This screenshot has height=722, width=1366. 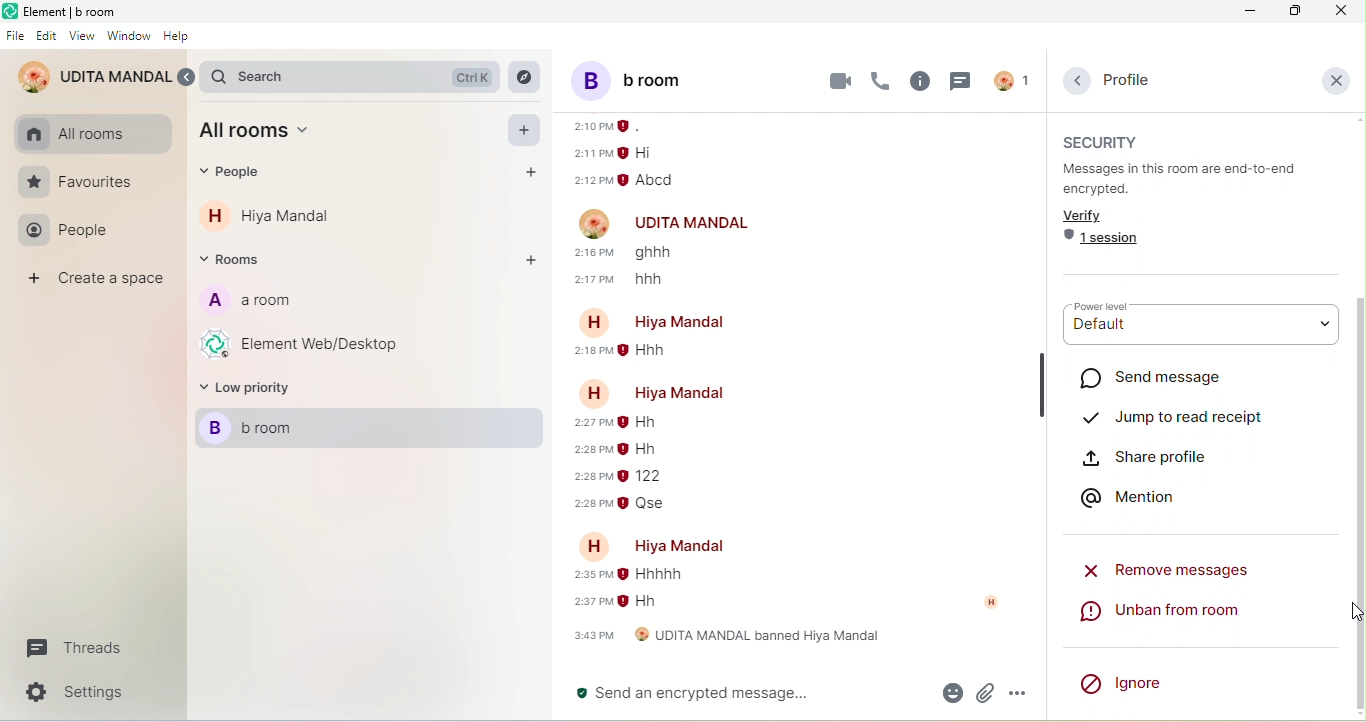 What do you see at coordinates (1353, 615) in the screenshot?
I see `cursor movement` at bounding box center [1353, 615].